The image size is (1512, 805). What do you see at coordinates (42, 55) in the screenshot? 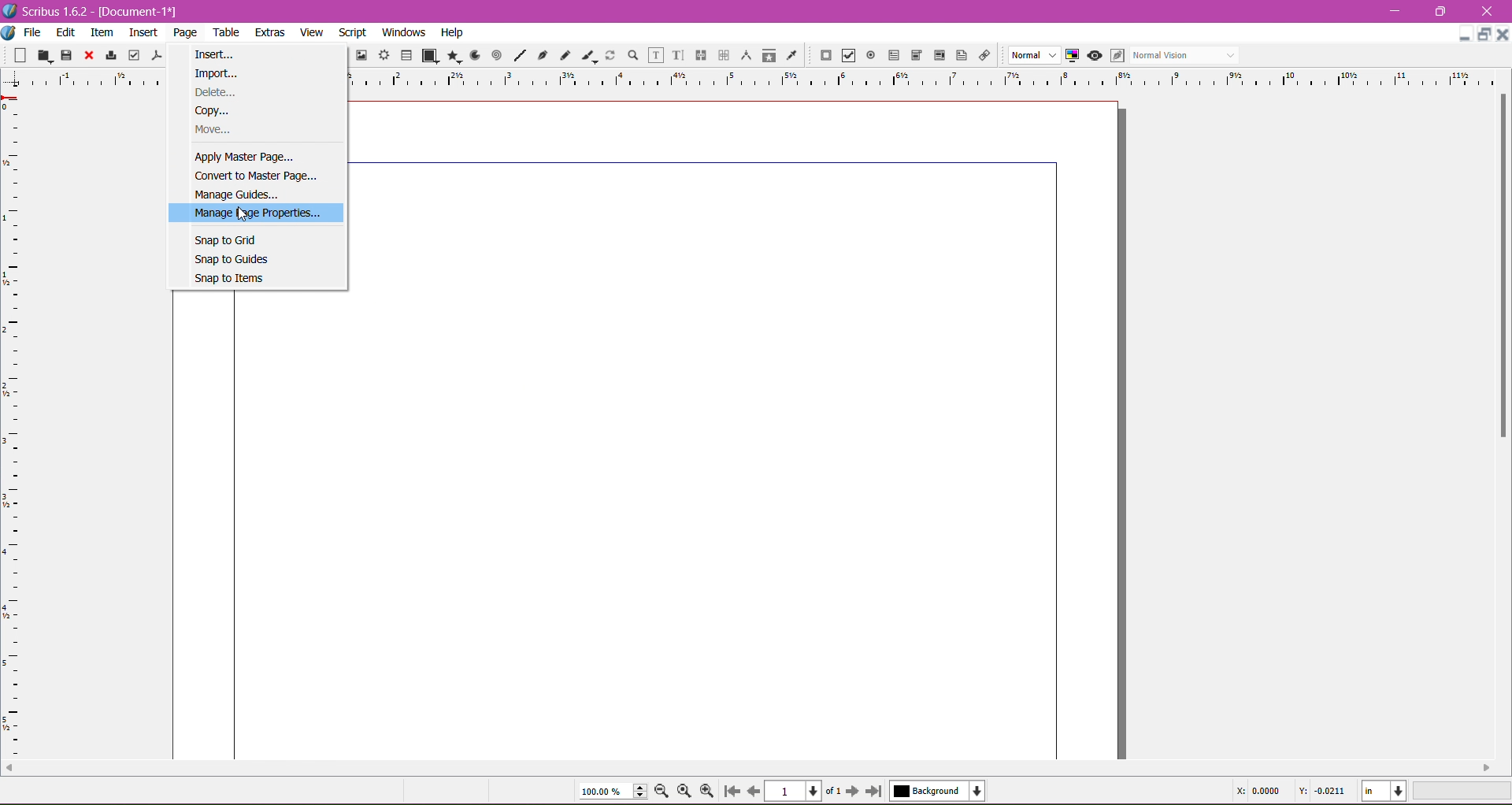
I see `Open` at bounding box center [42, 55].